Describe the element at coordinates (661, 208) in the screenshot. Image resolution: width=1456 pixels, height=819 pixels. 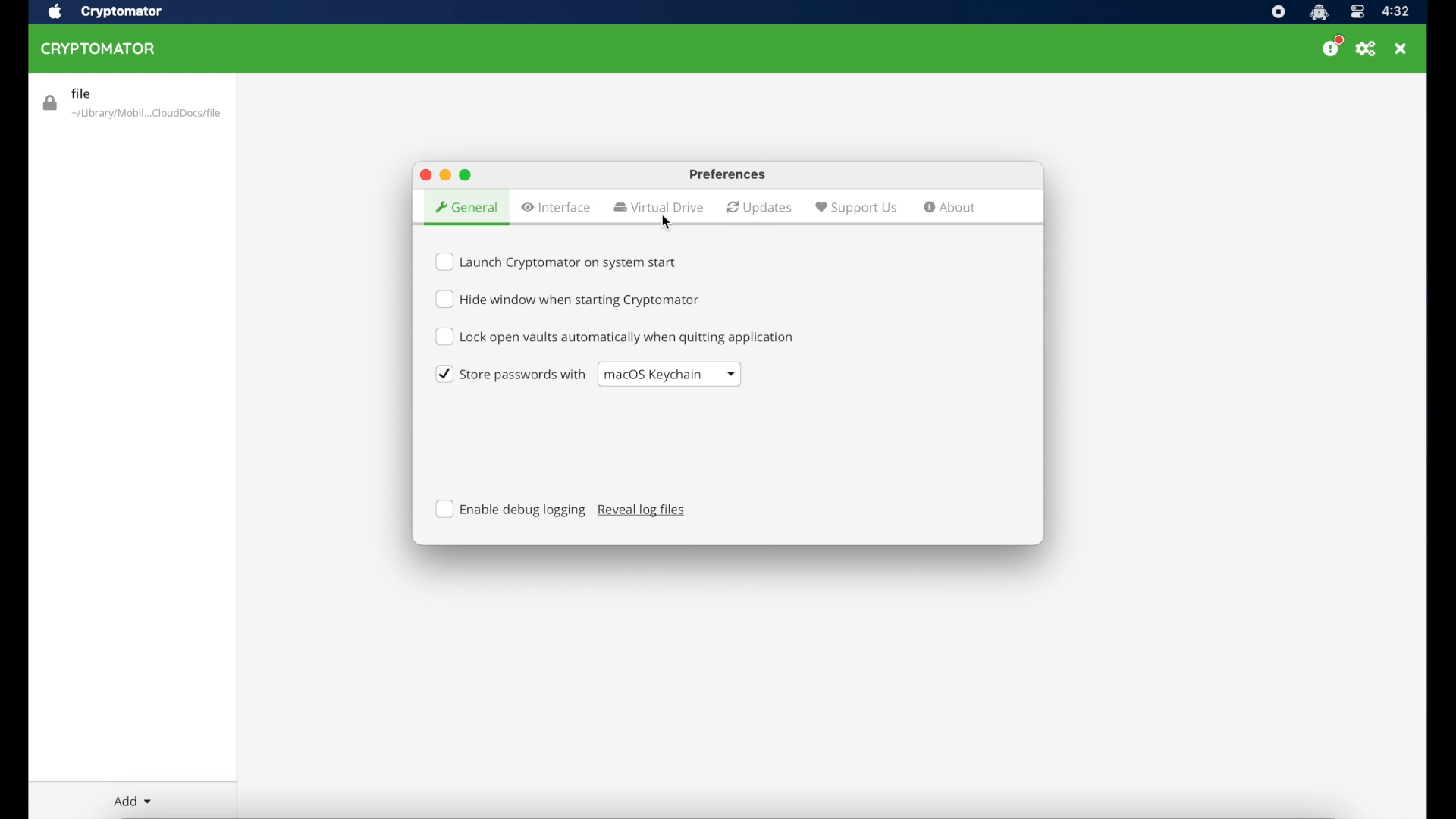
I see `virtual drive` at that location.